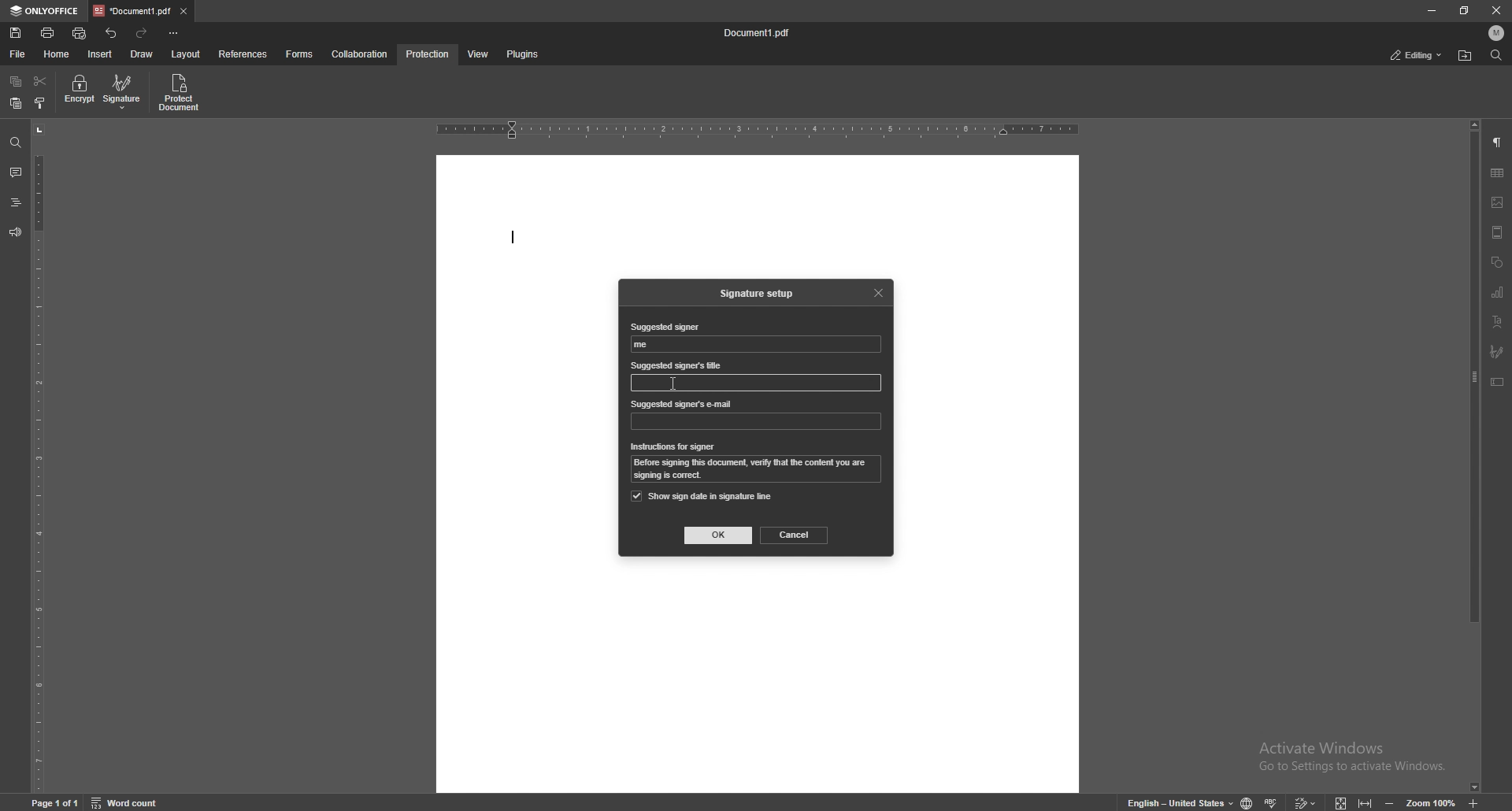 This screenshot has width=1512, height=811. I want to click on view, so click(475, 55).